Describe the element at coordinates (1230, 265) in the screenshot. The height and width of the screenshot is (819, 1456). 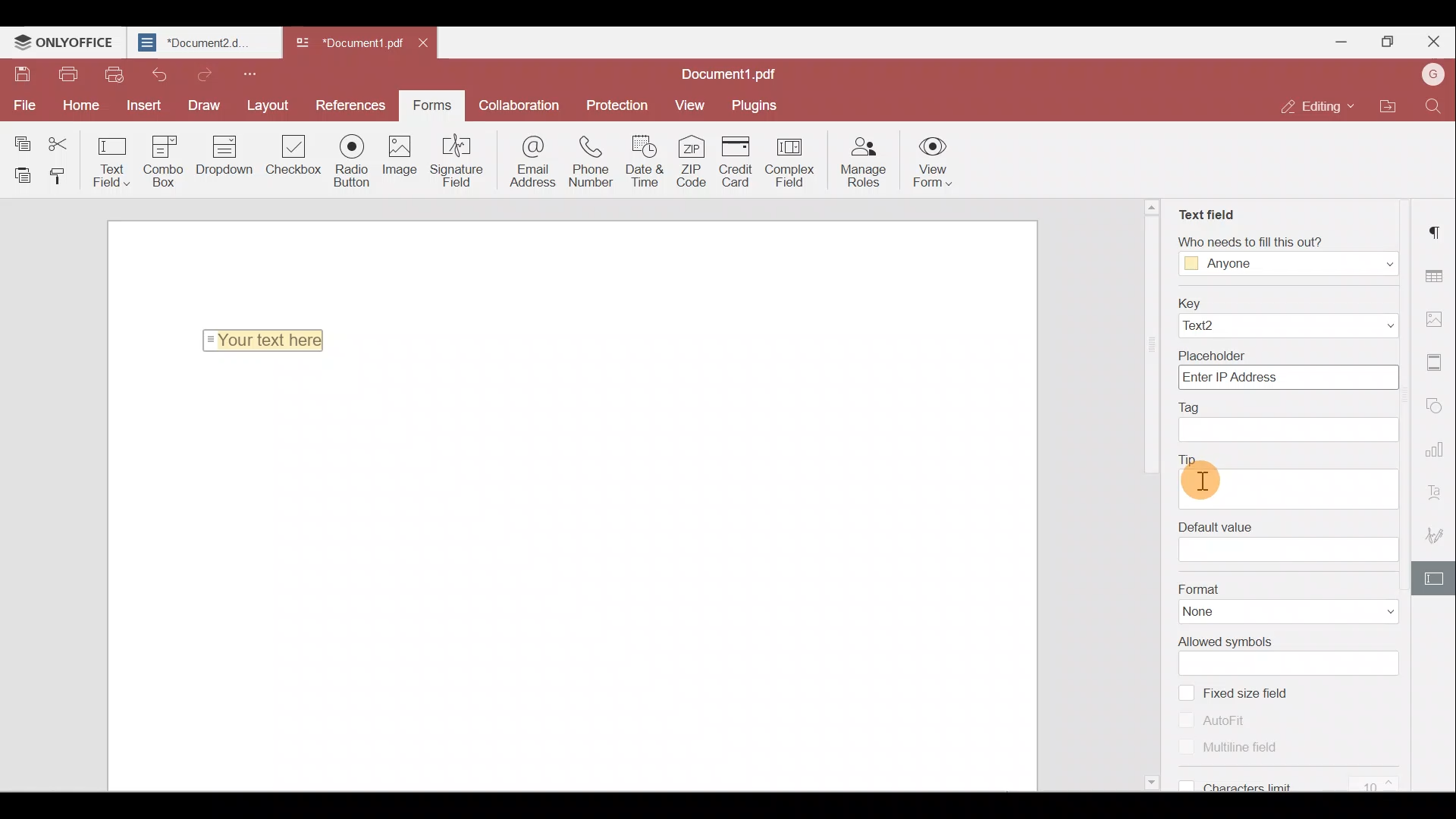
I see `Anyone` at that location.